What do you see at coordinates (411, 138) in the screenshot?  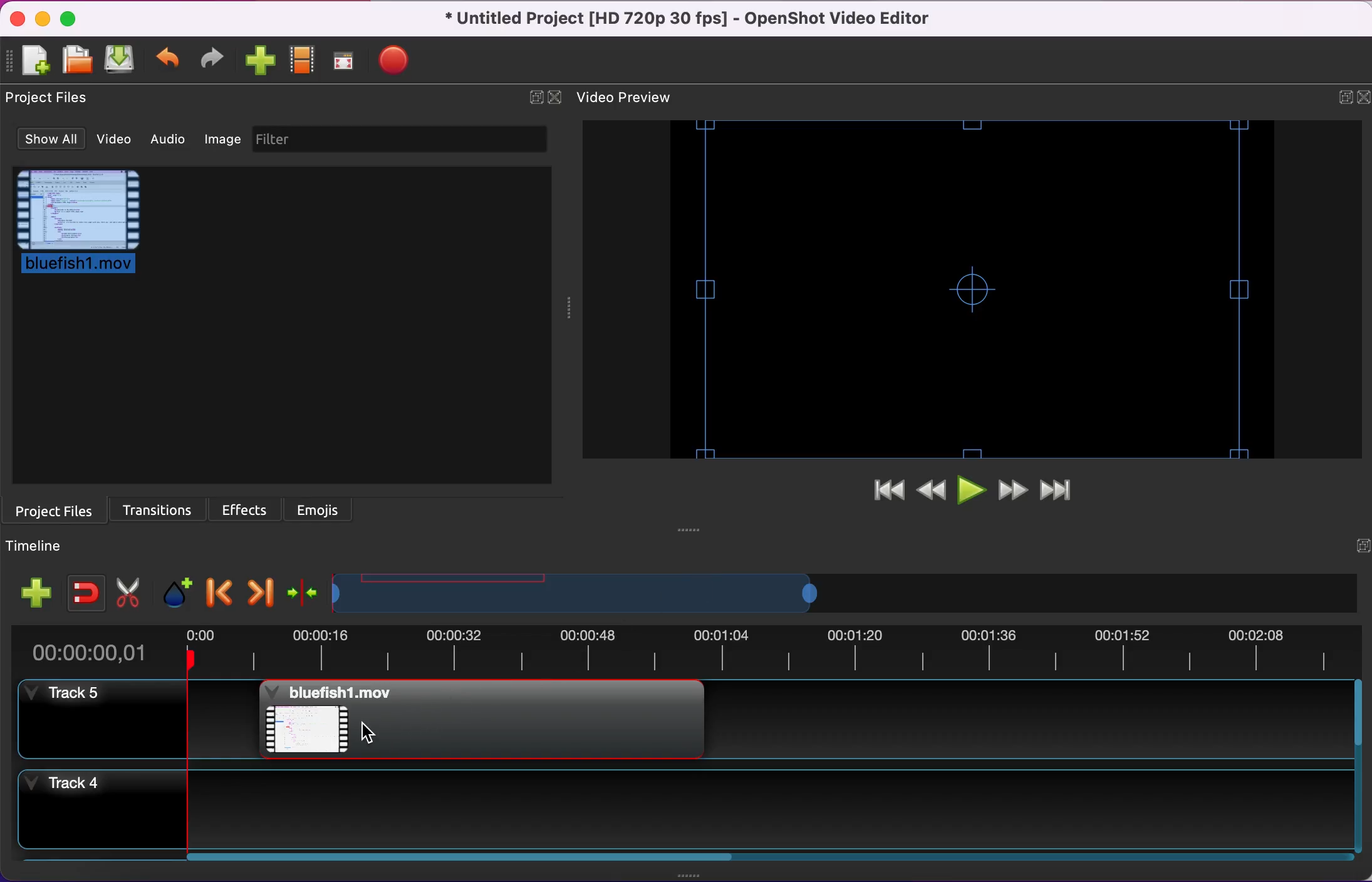 I see `filter` at bounding box center [411, 138].